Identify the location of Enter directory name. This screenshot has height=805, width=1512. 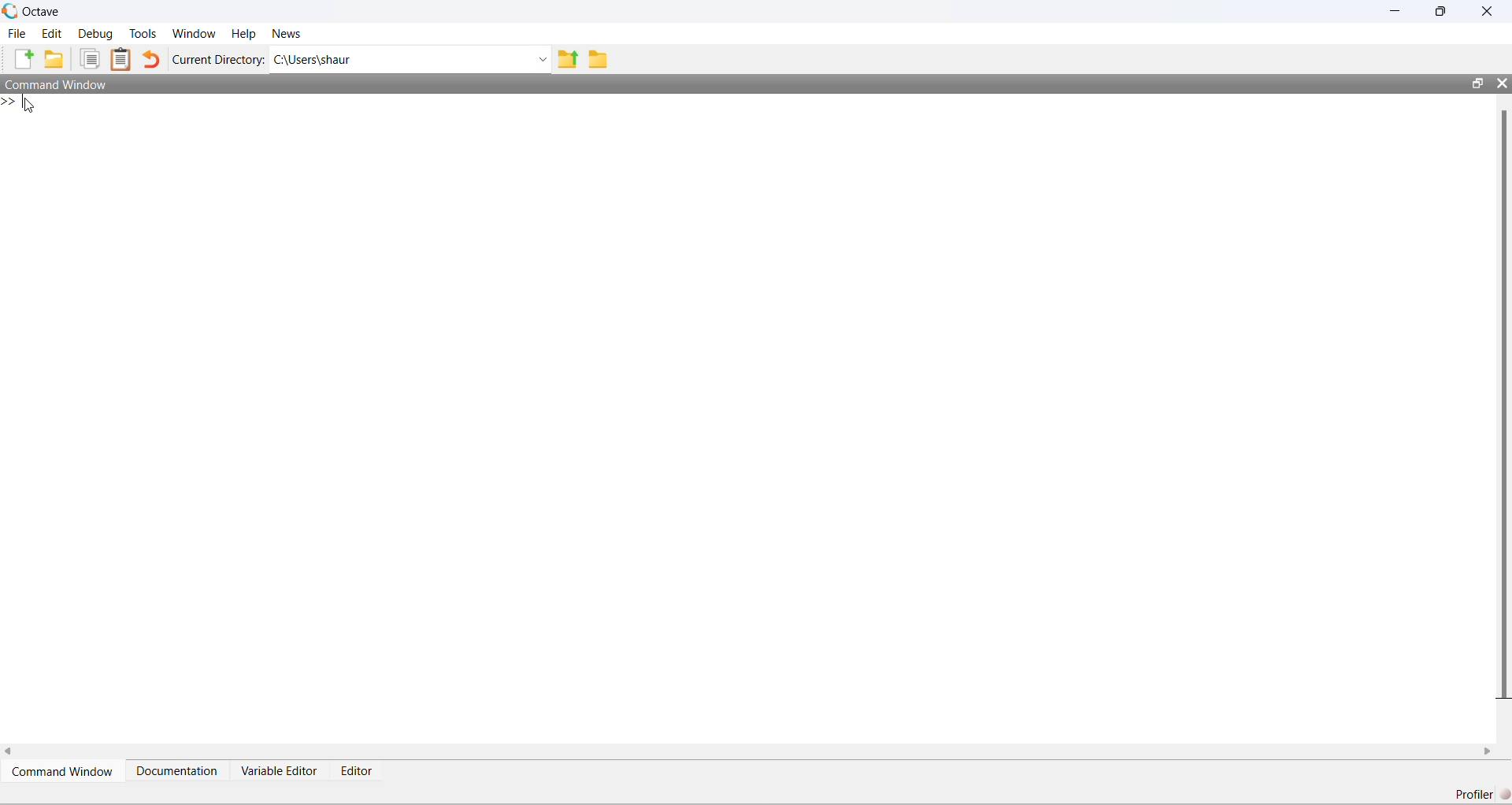
(543, 59).